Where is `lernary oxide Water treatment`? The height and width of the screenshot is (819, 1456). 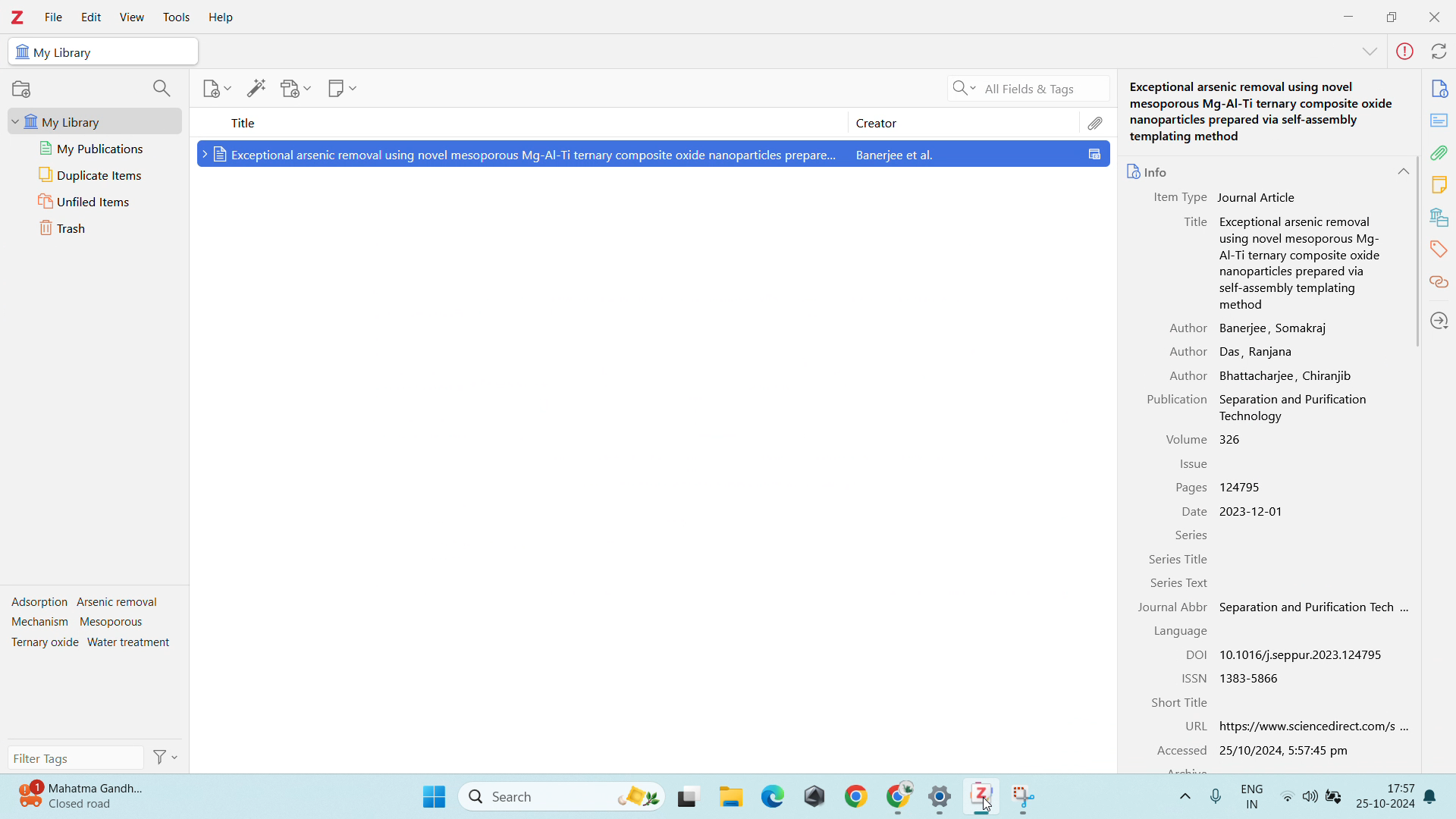
lernary oxide Water treatment is located at coordinates (88, 643).